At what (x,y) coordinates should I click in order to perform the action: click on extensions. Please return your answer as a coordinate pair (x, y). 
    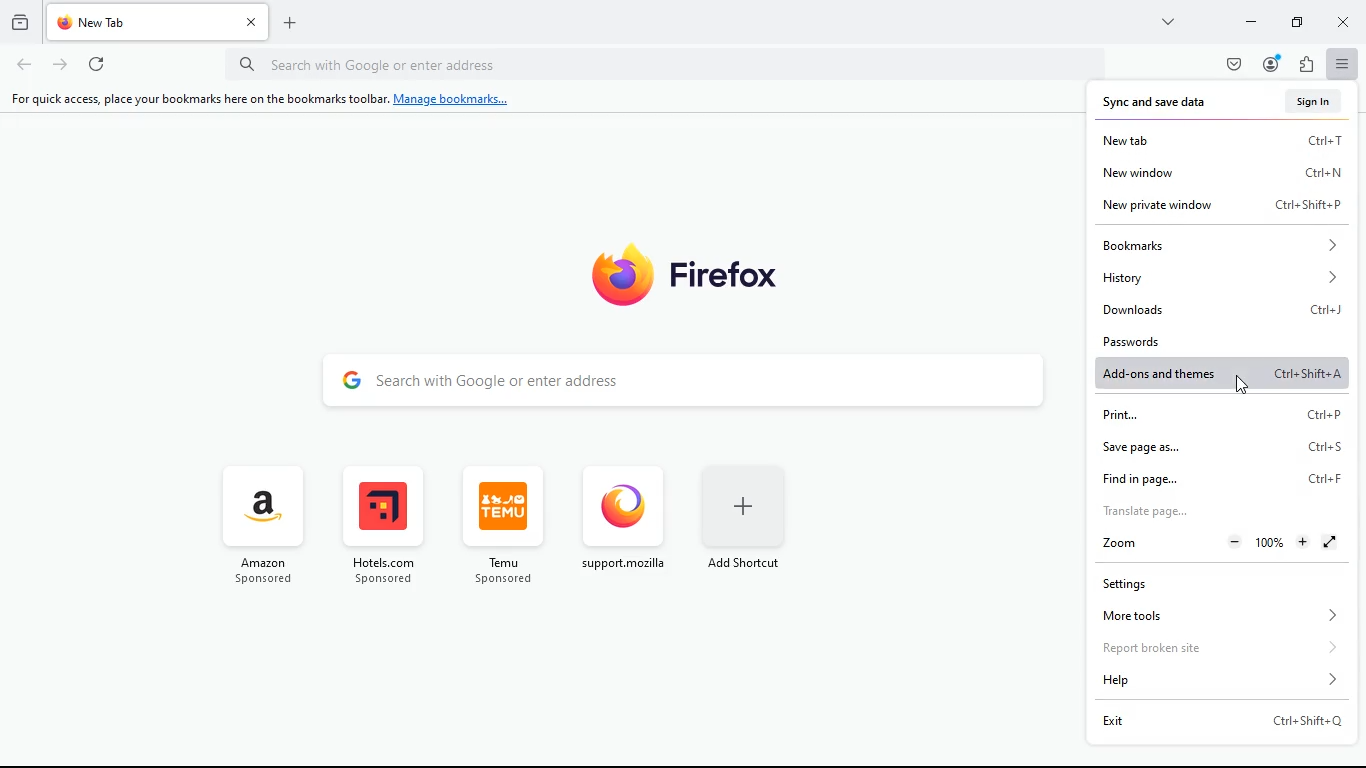
    Looking at the image, I should click on (1309, 63).